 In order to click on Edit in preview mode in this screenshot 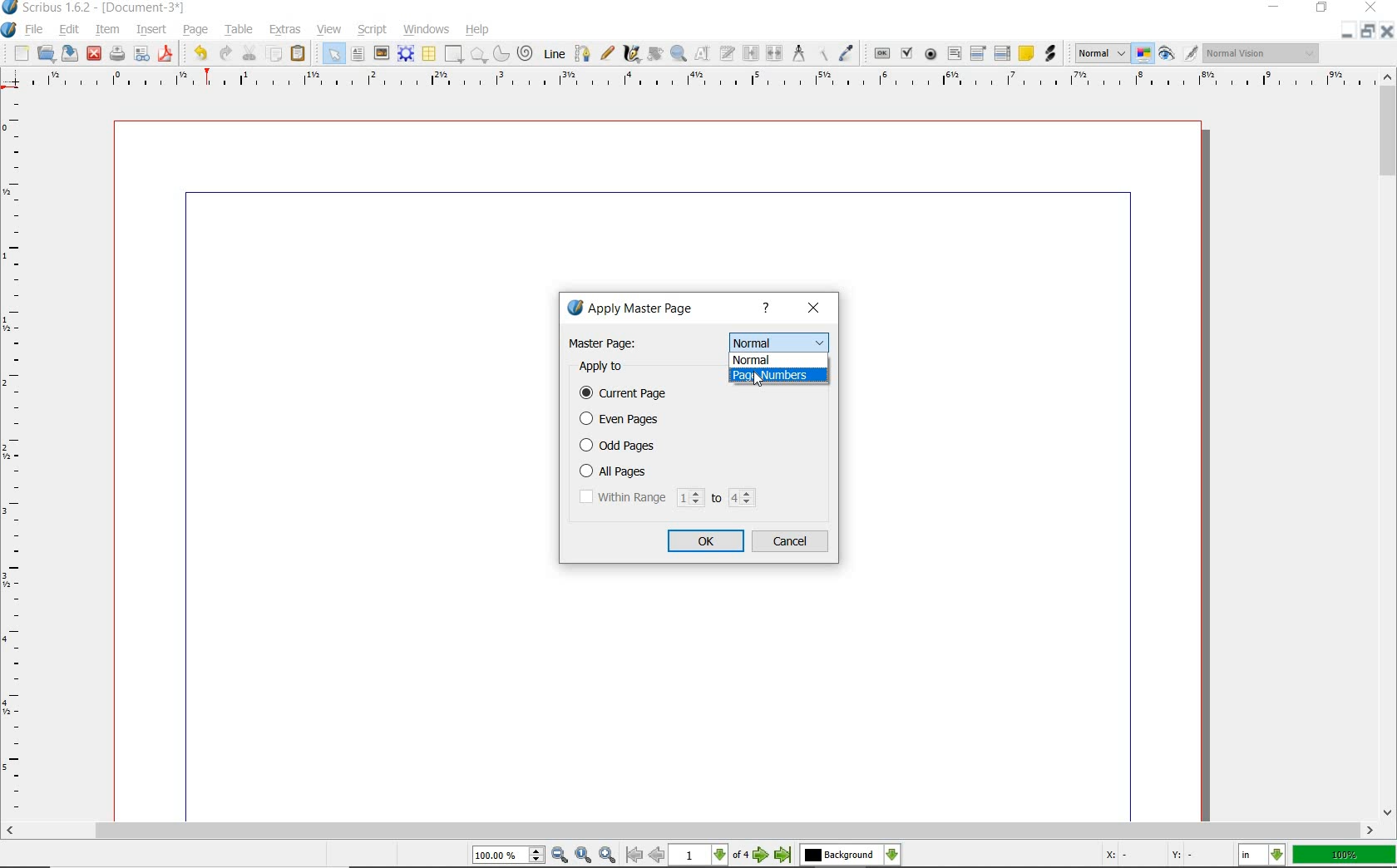, I will do `click(1191, 54)`.